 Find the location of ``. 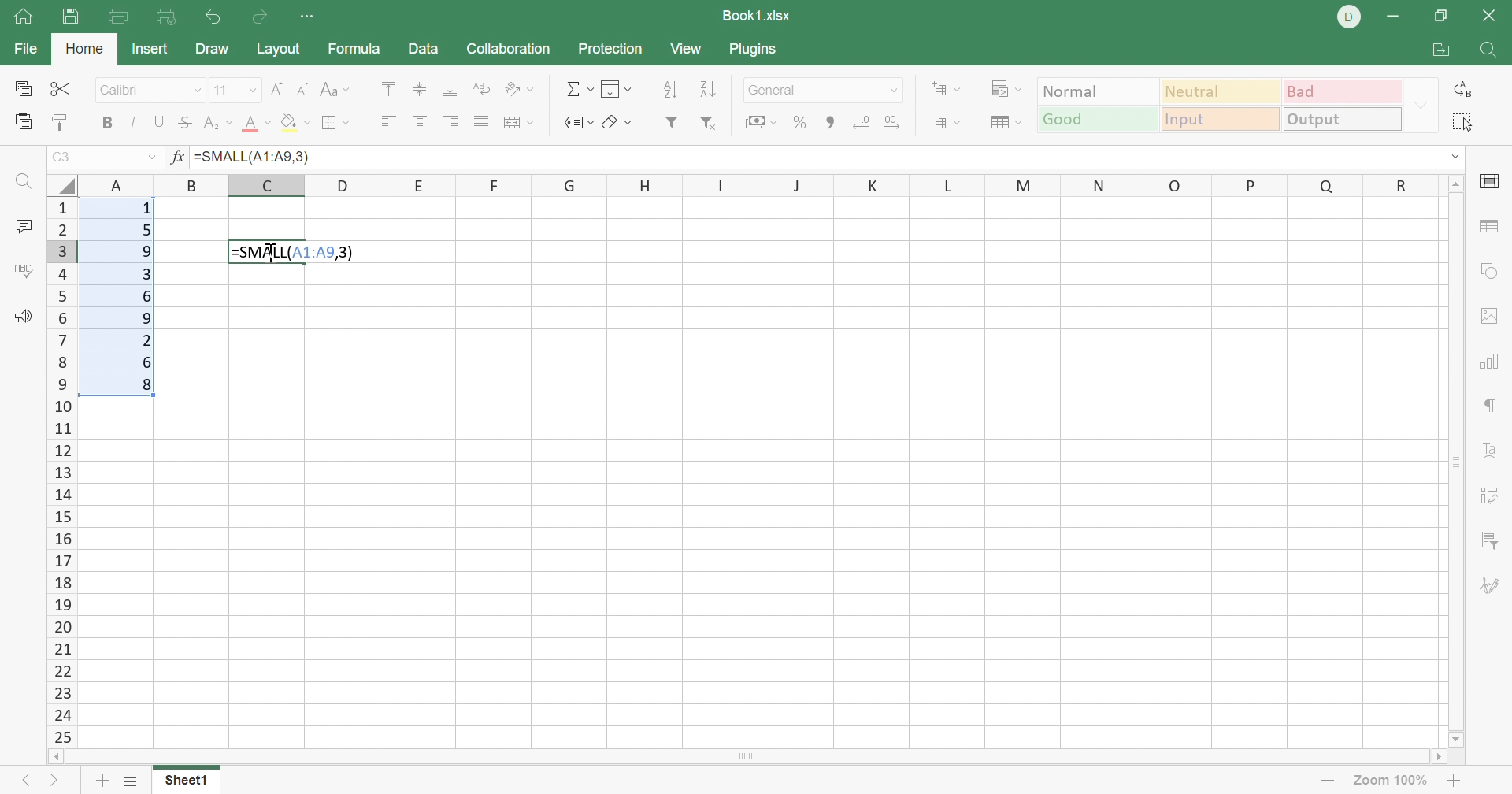

 is located at coordinates (146, 232).